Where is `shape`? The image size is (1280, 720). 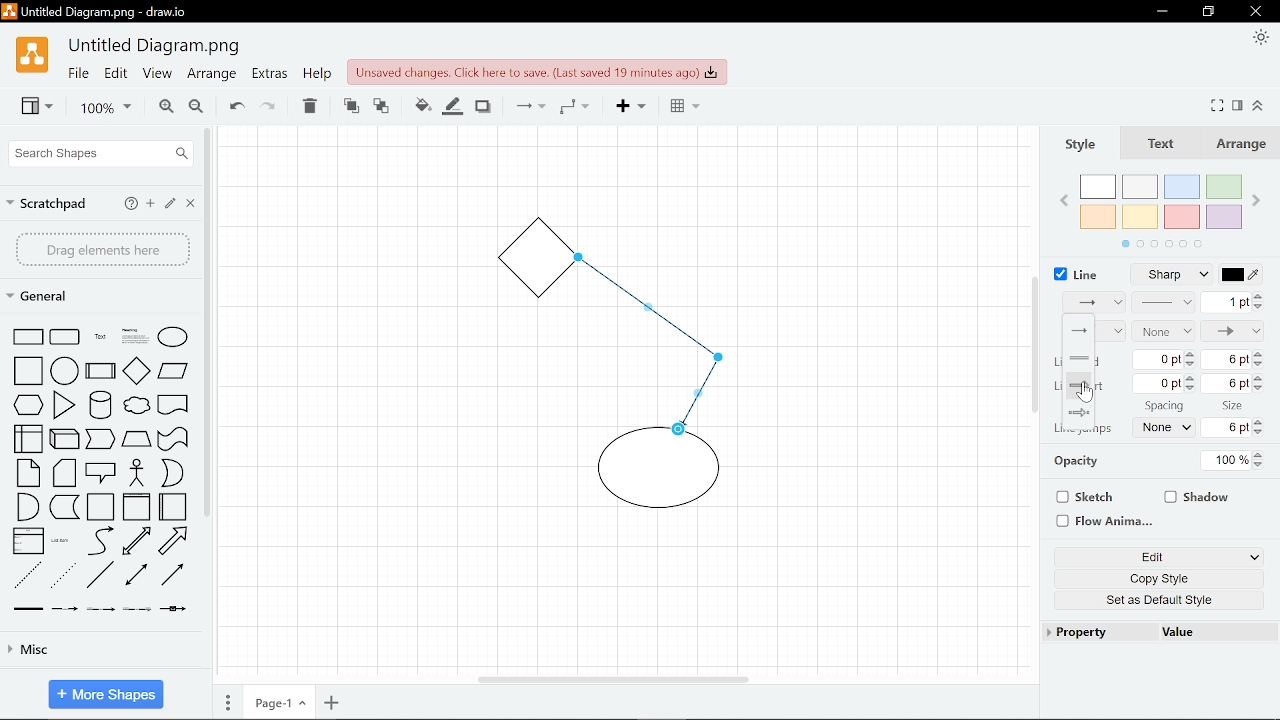
shape is located at coordinates (136, 610).